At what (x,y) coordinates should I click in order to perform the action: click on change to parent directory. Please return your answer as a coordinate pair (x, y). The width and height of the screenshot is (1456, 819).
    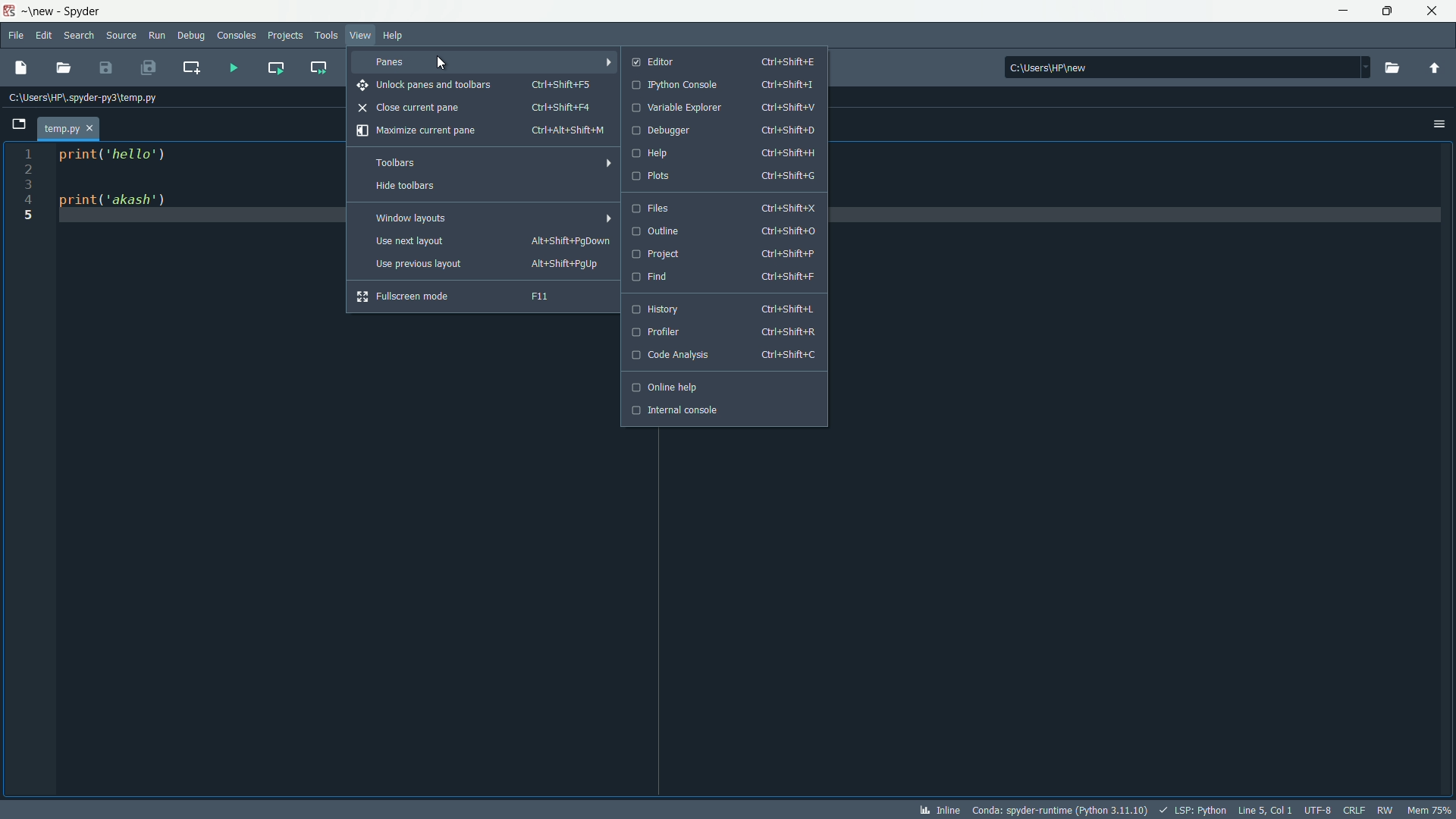
    Looking at the image, I should click on (1436, 67).